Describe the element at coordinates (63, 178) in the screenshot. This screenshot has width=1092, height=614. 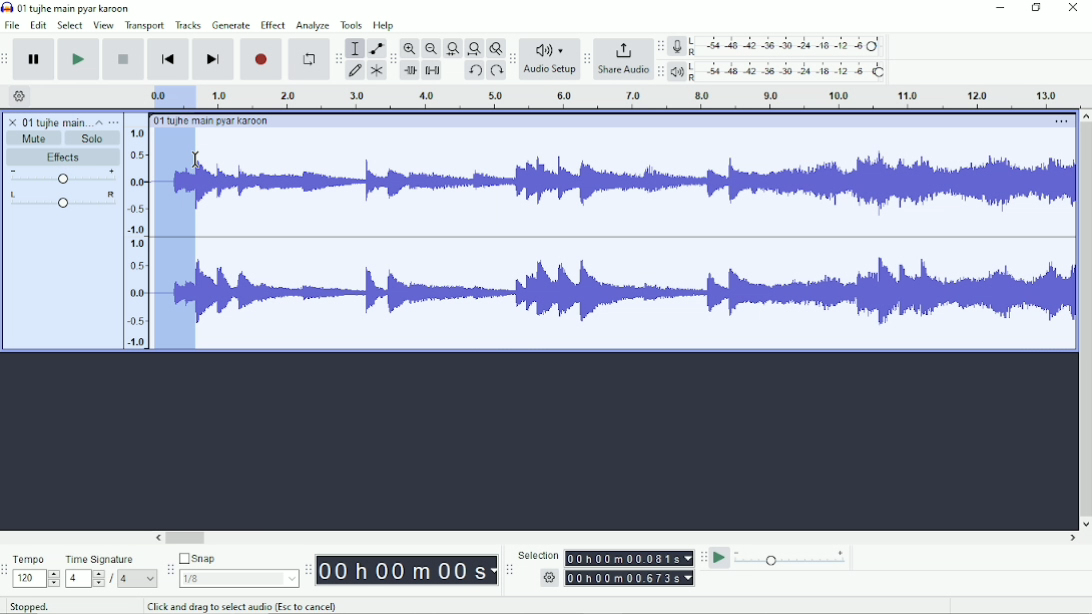
I see `Volume` at that location.